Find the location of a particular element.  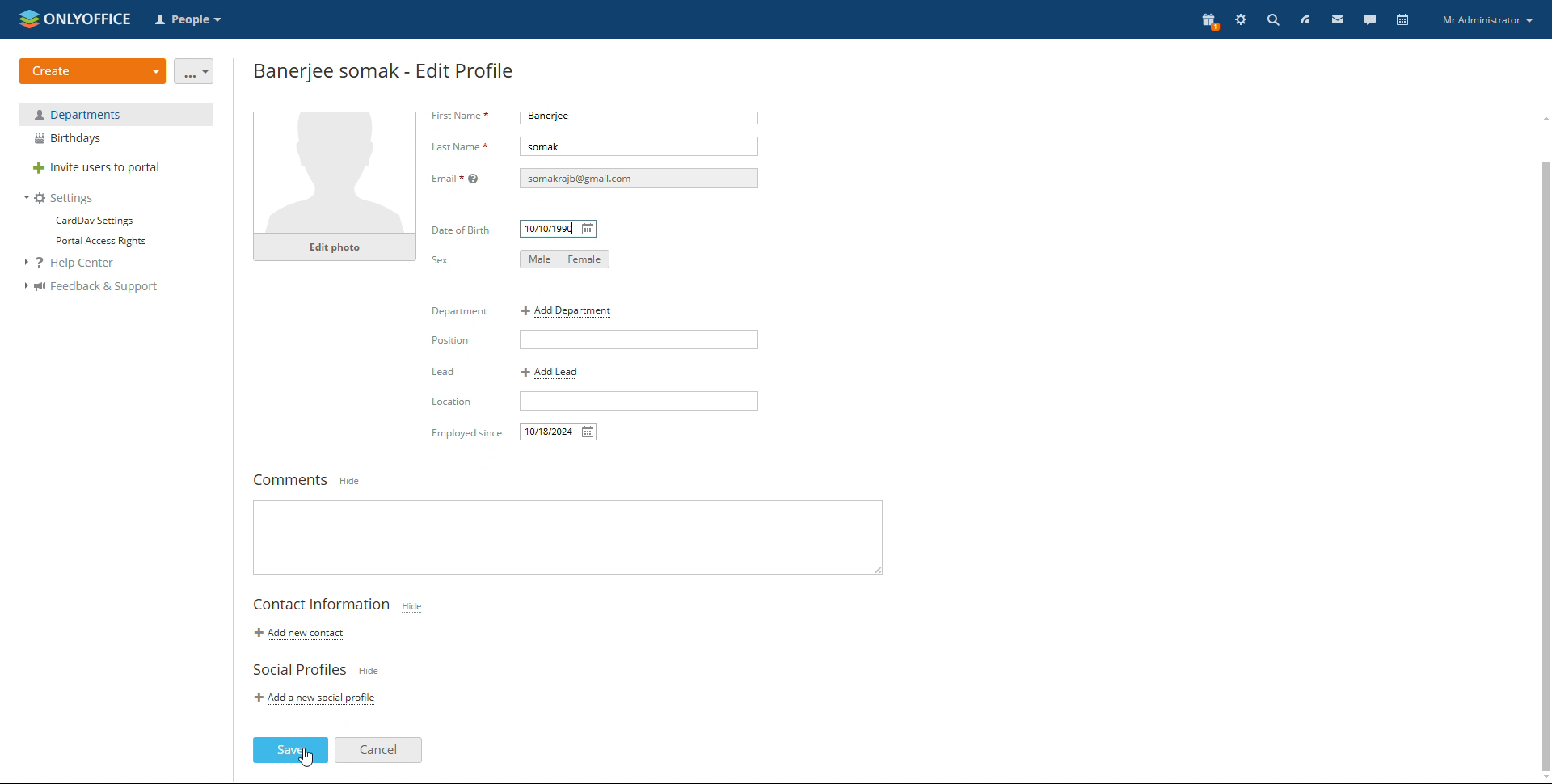

talk is located at coordinates (1369, 19).